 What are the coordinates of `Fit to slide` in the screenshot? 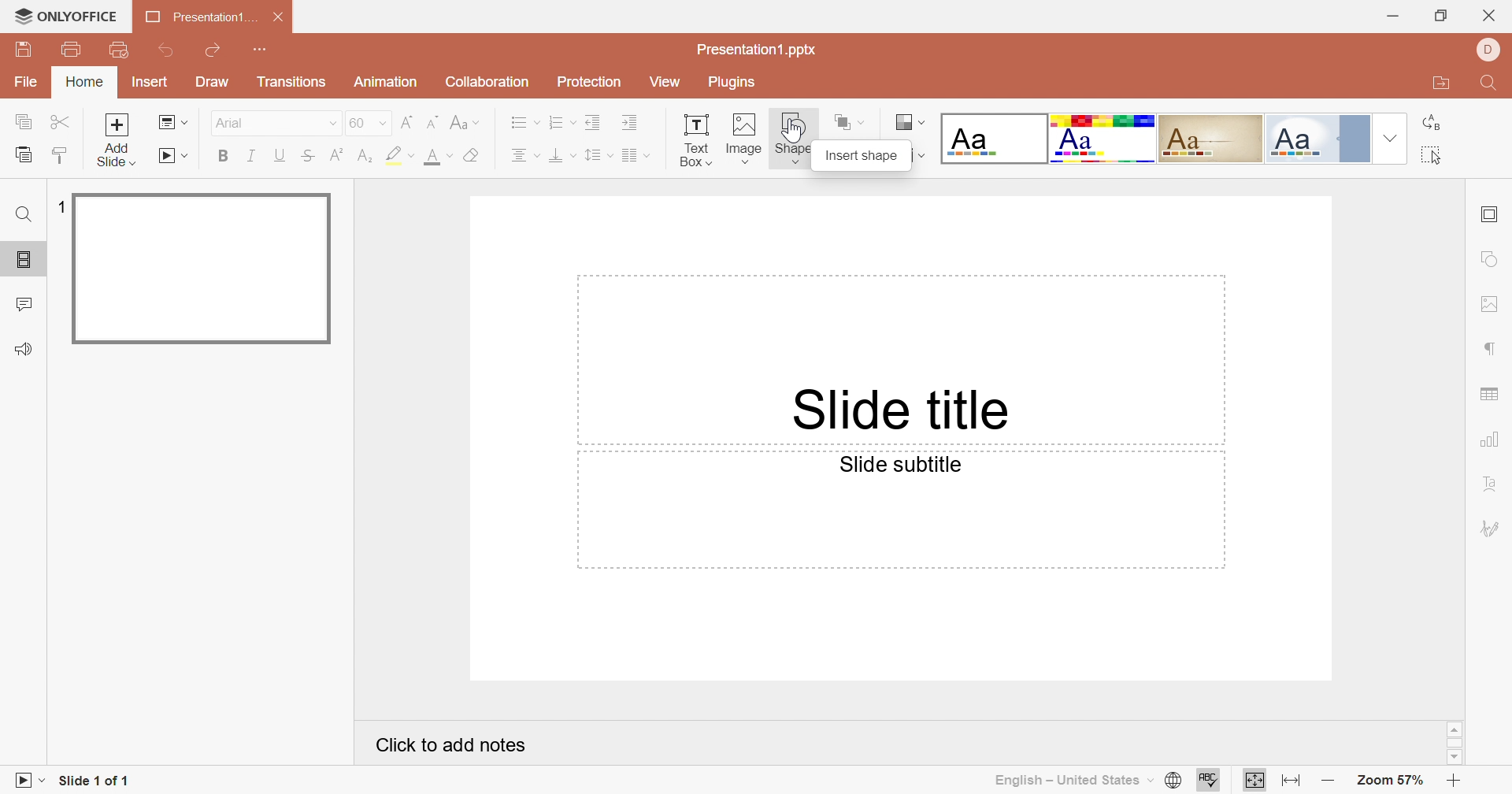 It's located at (1252, 781).